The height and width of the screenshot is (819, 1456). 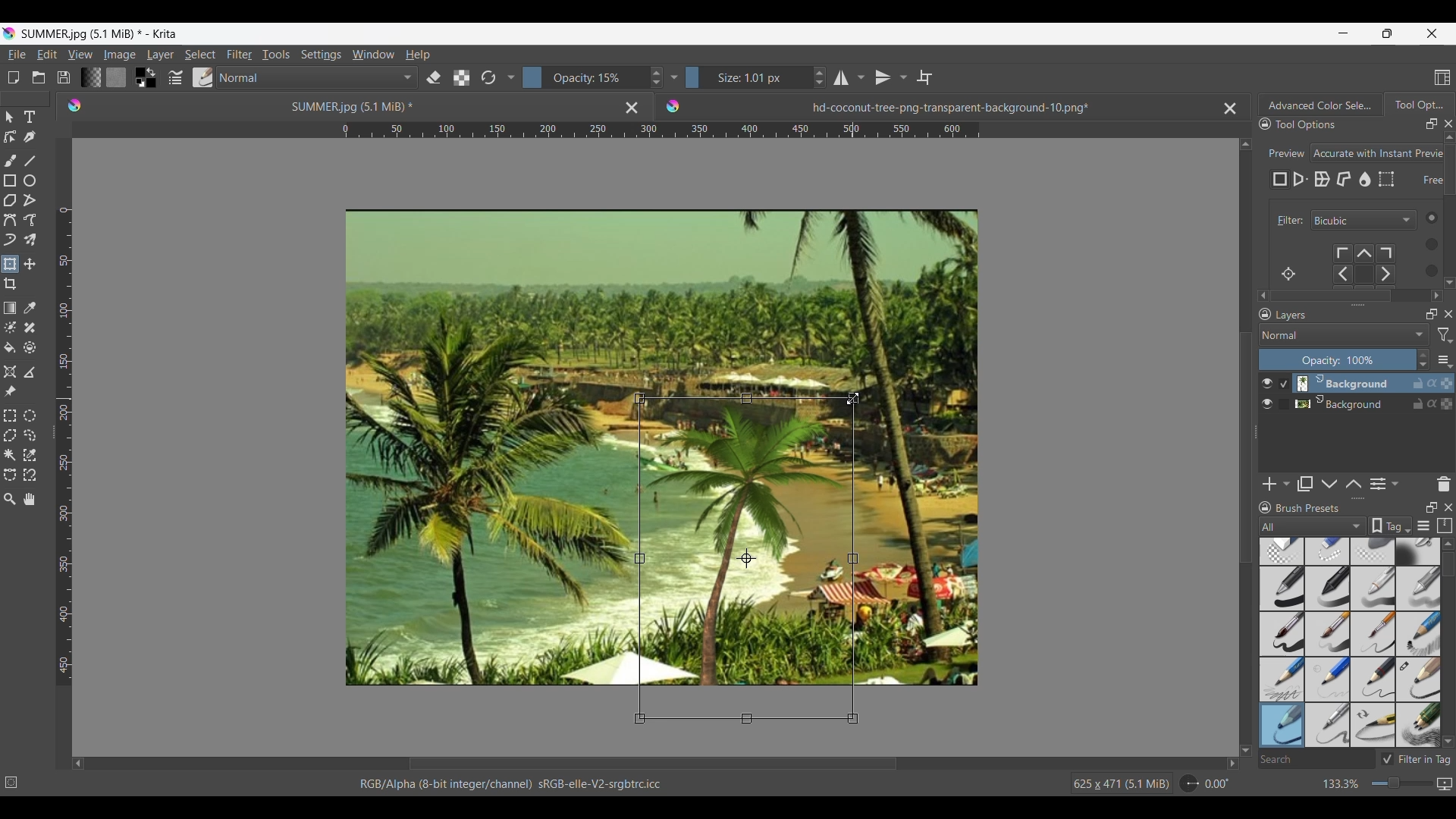 I want to click on Tools, so click(x=275, y=54).